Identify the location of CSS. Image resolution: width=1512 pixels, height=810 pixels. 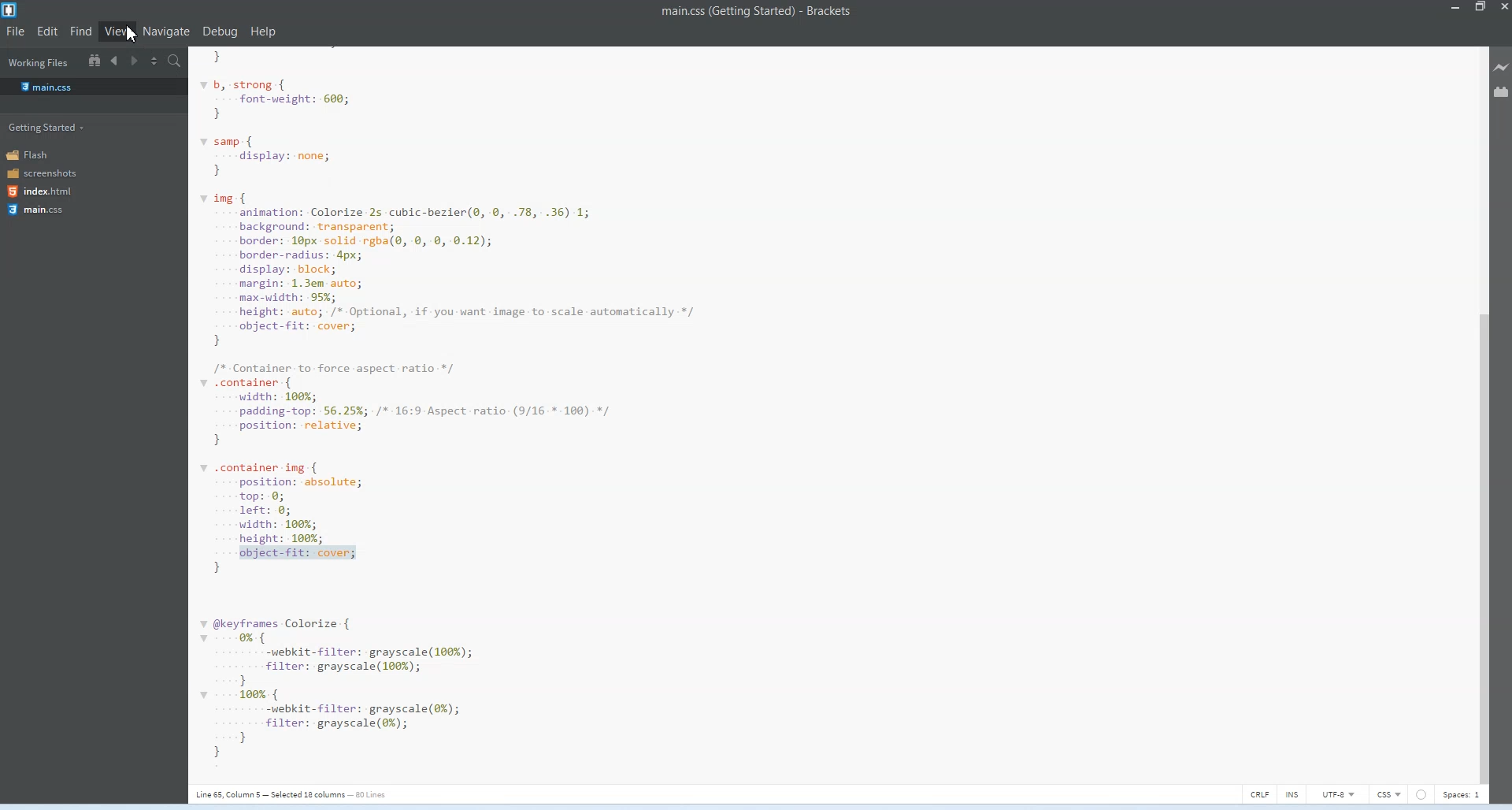
(1391, 793).